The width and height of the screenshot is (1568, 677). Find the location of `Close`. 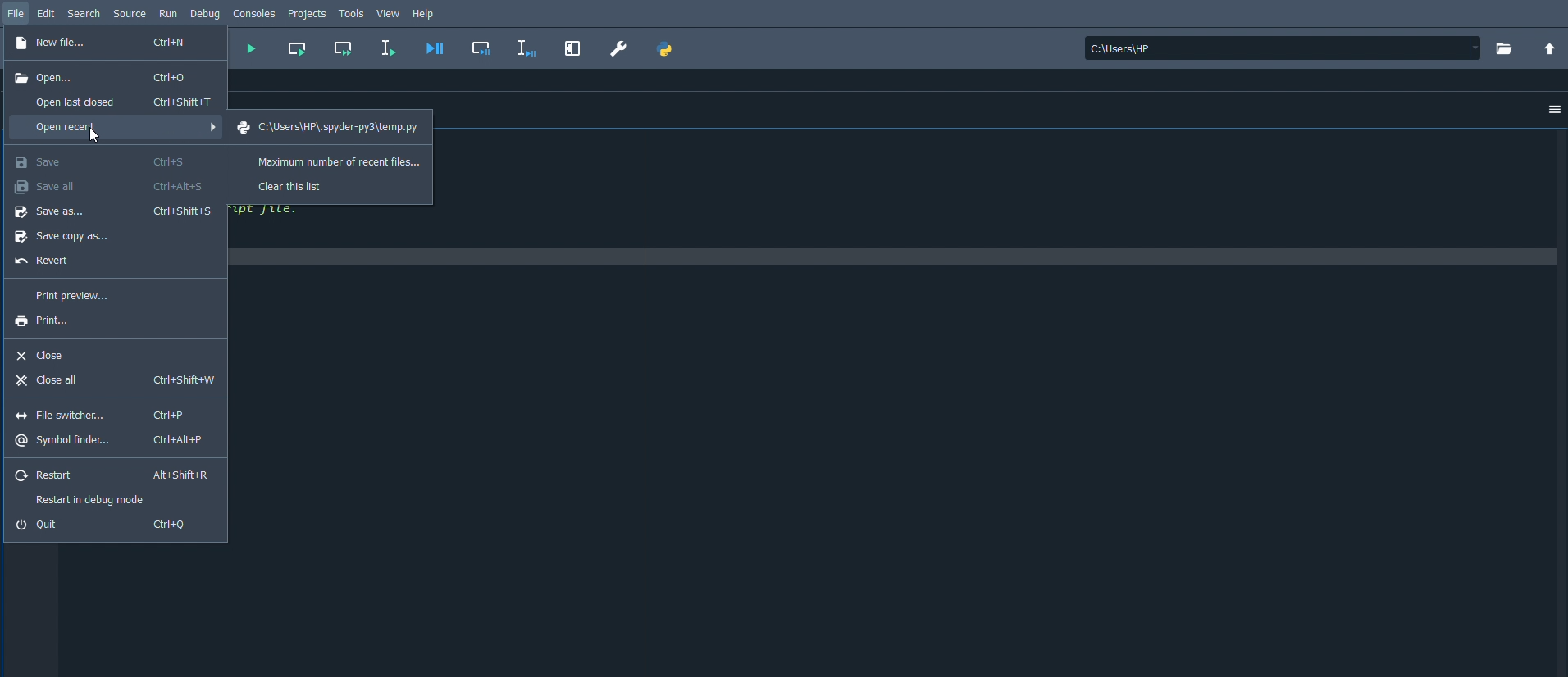

Close is located at coordinates (43, 354).